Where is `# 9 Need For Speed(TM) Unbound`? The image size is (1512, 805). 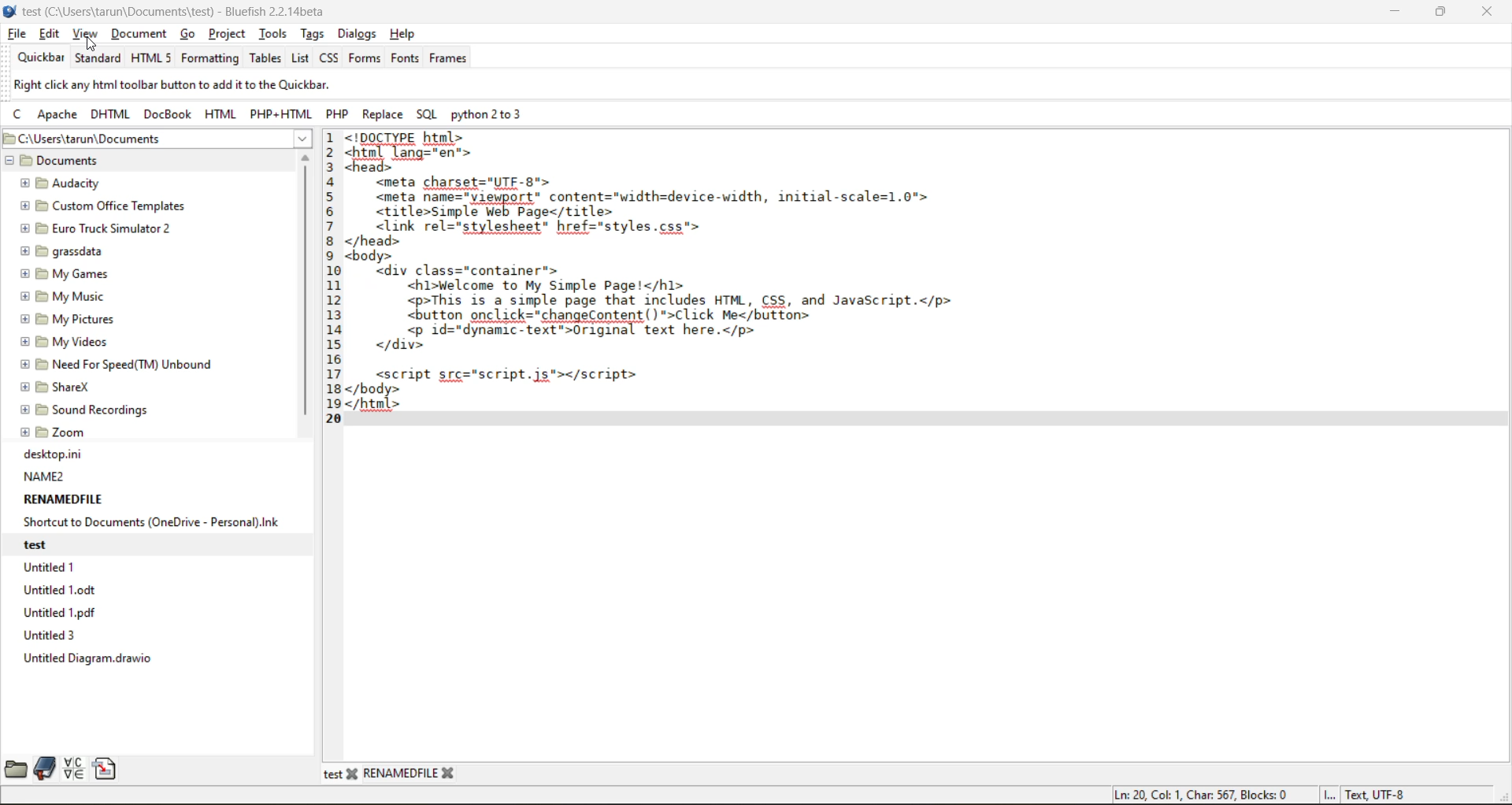 # 9 Need For Speed(TM) Unbound is located at coordinates (116, 364).